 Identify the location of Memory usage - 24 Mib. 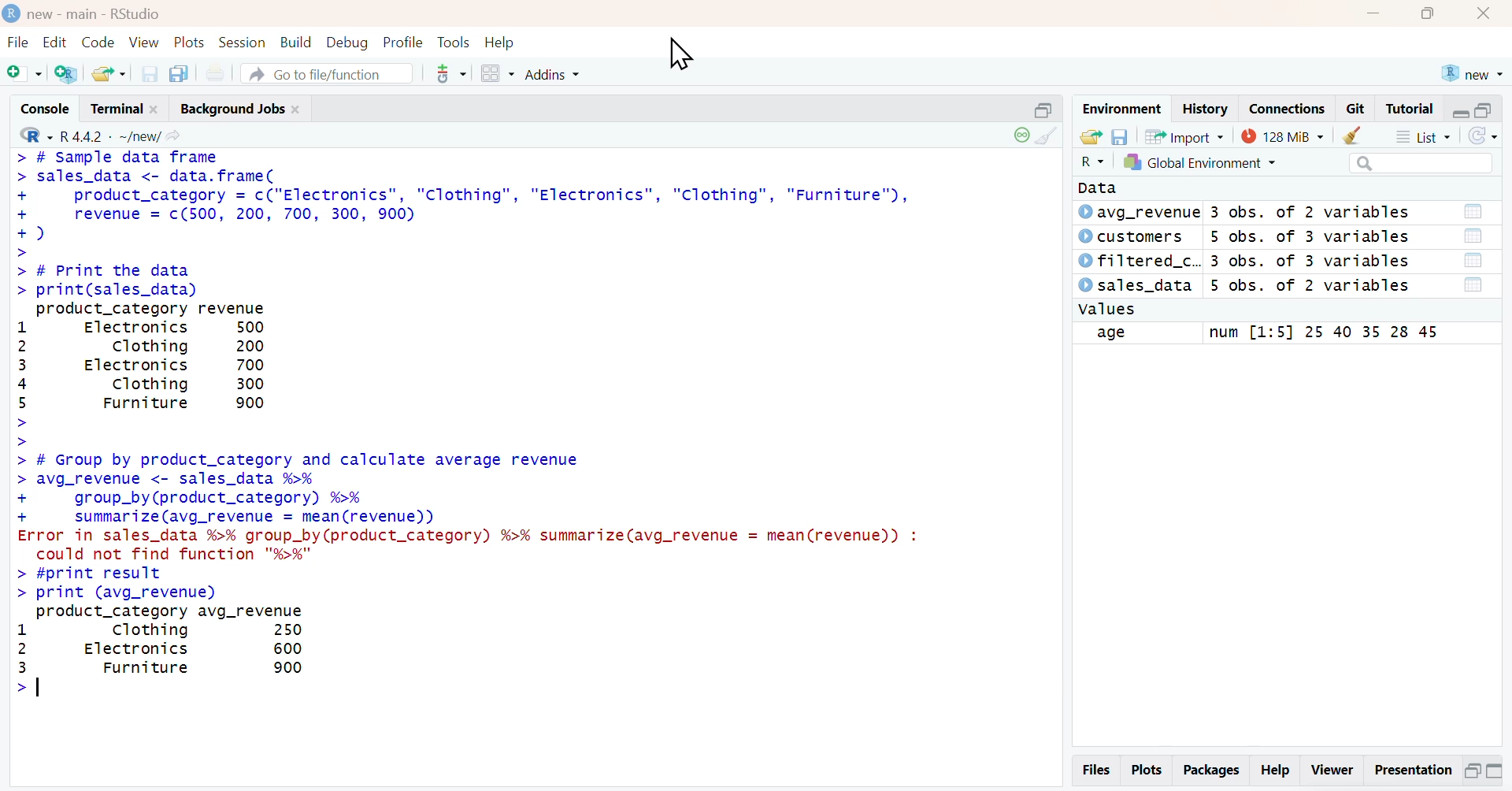
(1279, 135).